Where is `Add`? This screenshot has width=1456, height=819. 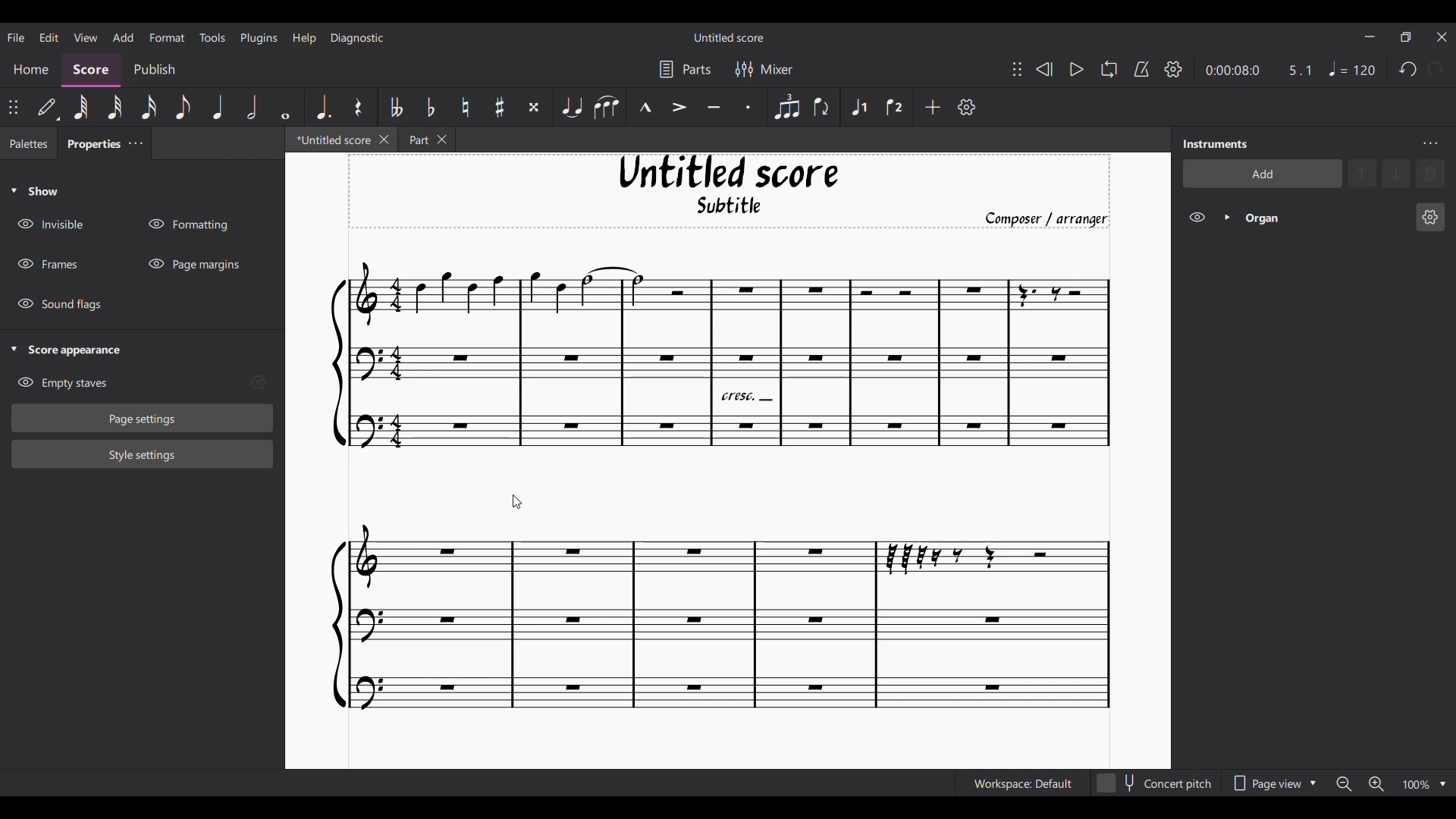 Add is located at coordinates (934, 107).